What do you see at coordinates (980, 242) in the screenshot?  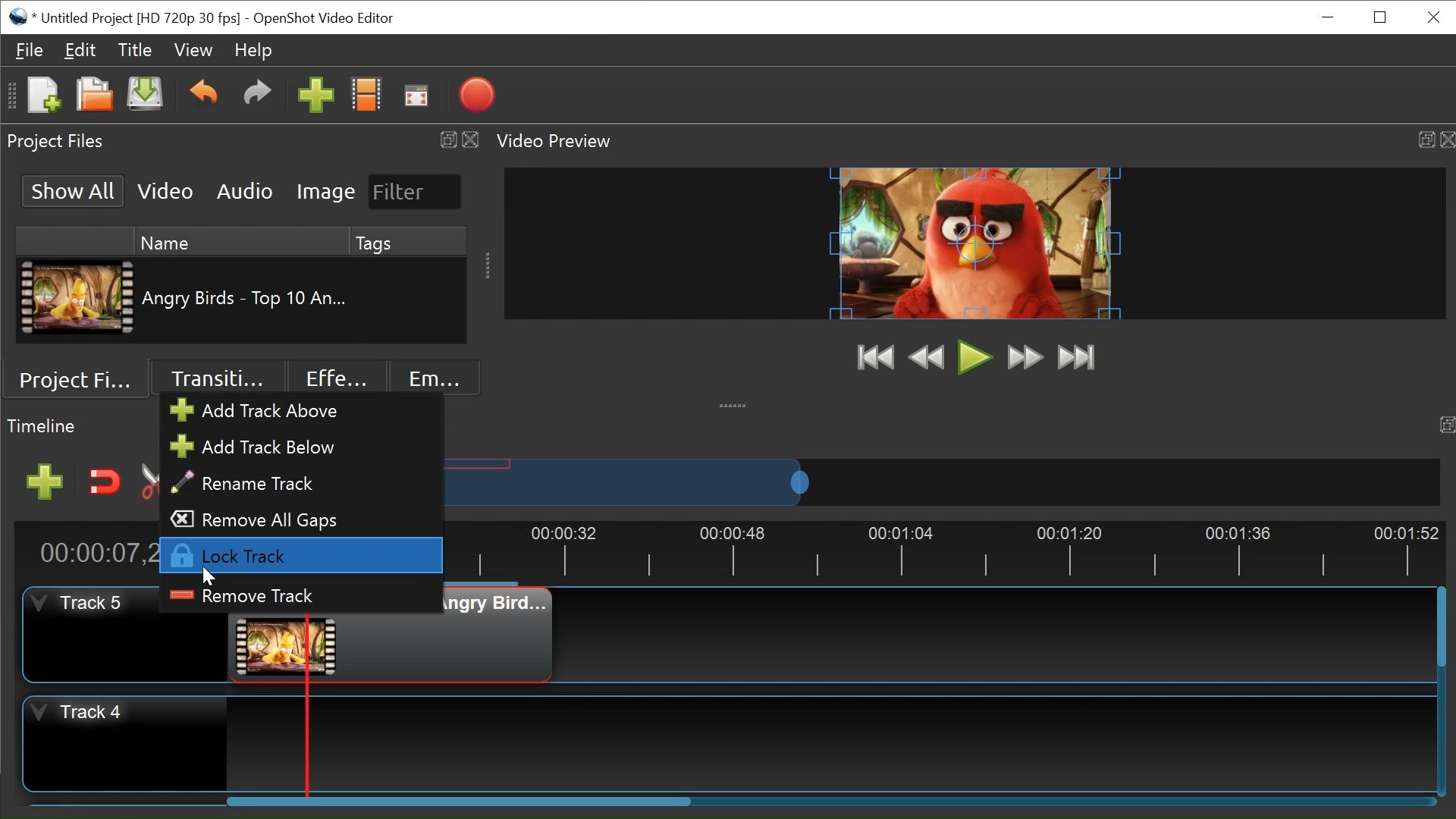 I see `Preview Window` at bounding box center [980, 242].